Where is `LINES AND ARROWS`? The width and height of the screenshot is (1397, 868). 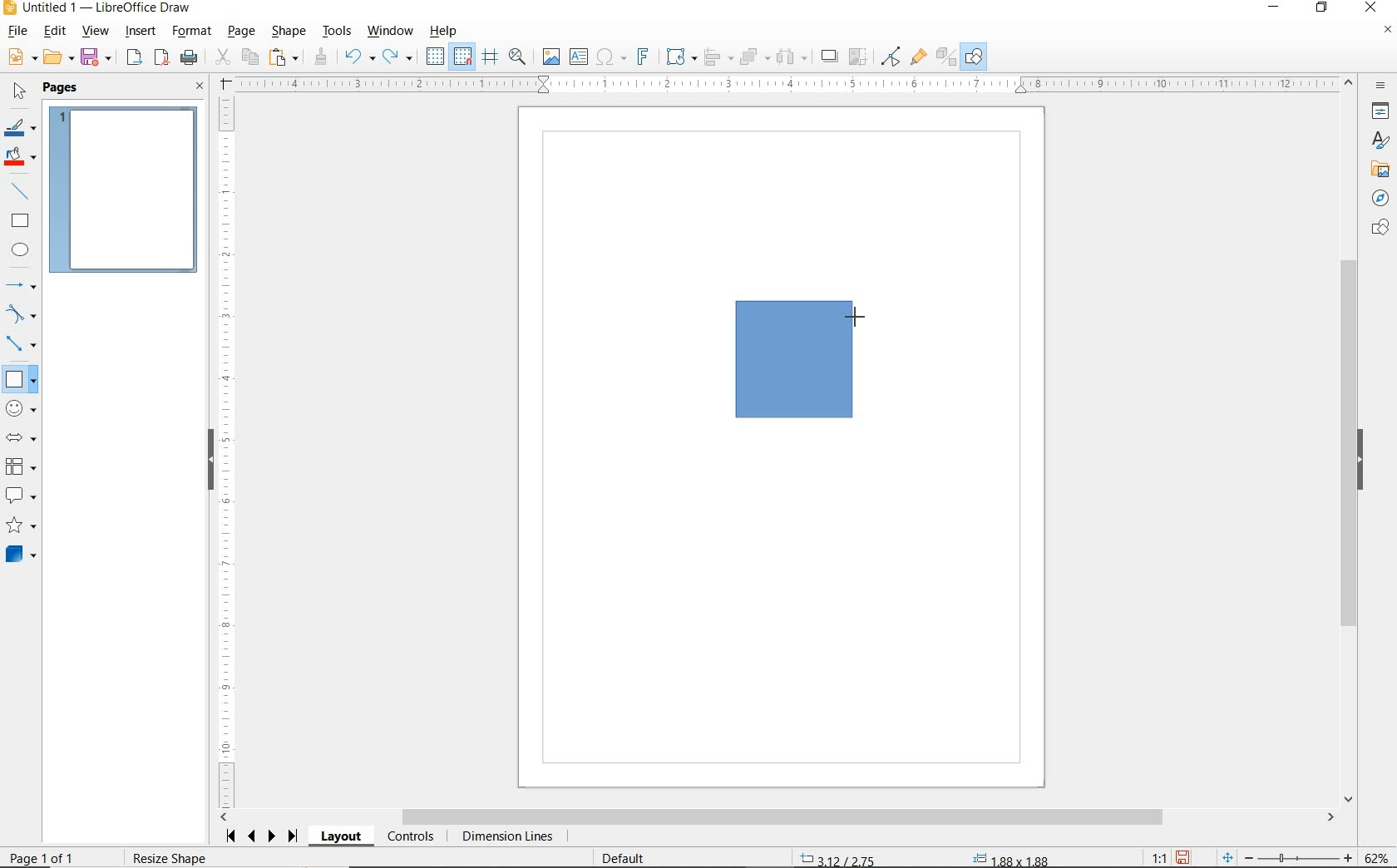
LINES AND ARROWS is located at coordinates (22, 285).